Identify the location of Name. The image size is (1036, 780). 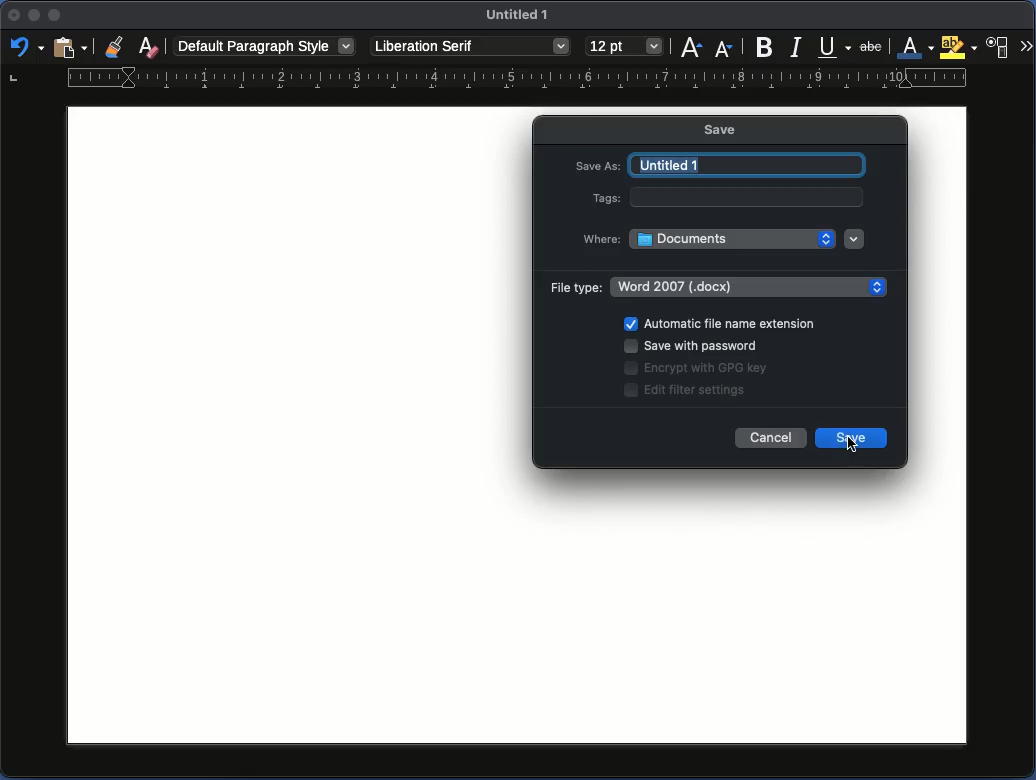
(521, 18).